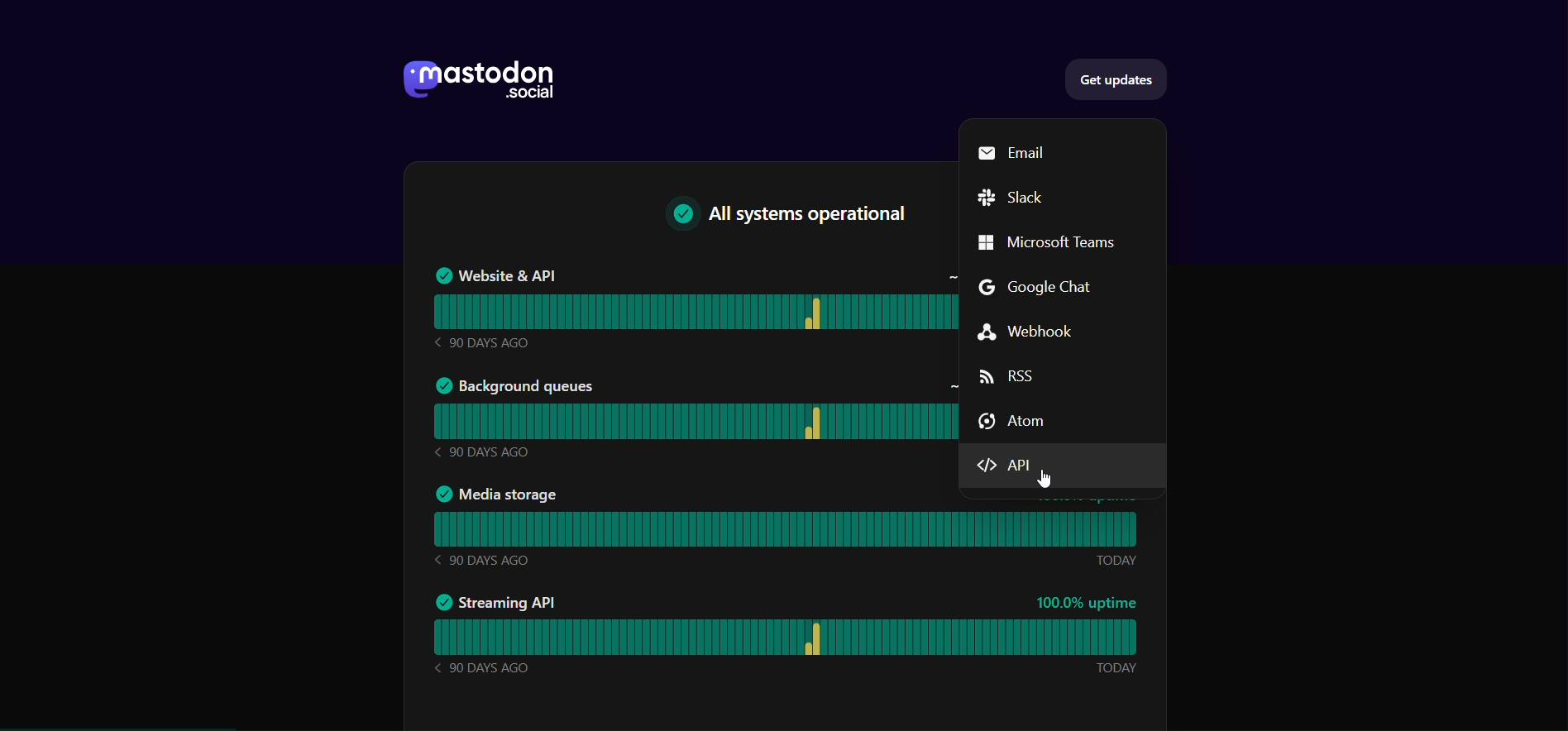 This screenshot has height=731, width=1568. Describe the element at coordinates (1047, 291) in the screenshot. I see `Google Chat` at that location.